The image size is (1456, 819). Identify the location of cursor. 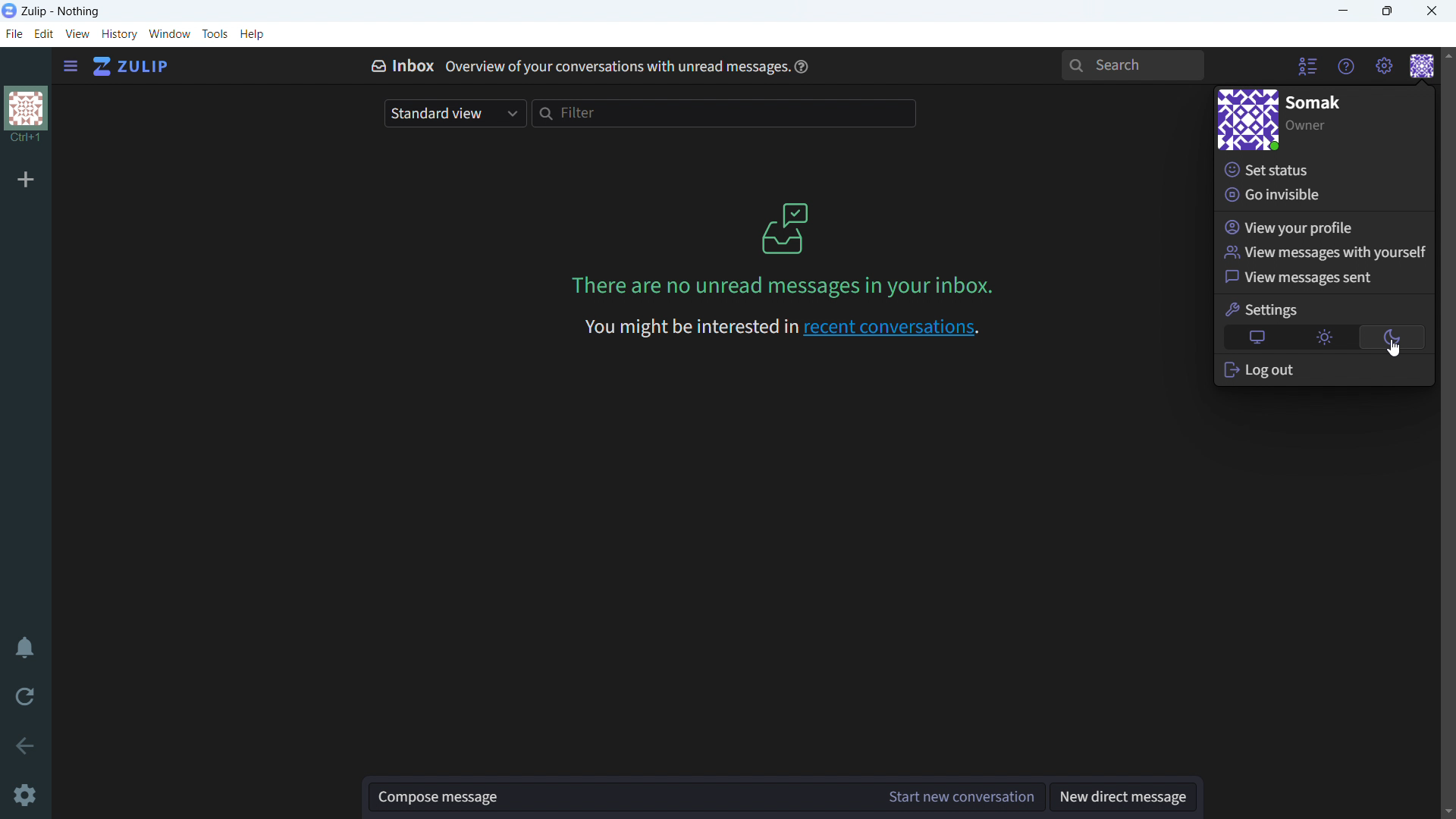
(21, 795).